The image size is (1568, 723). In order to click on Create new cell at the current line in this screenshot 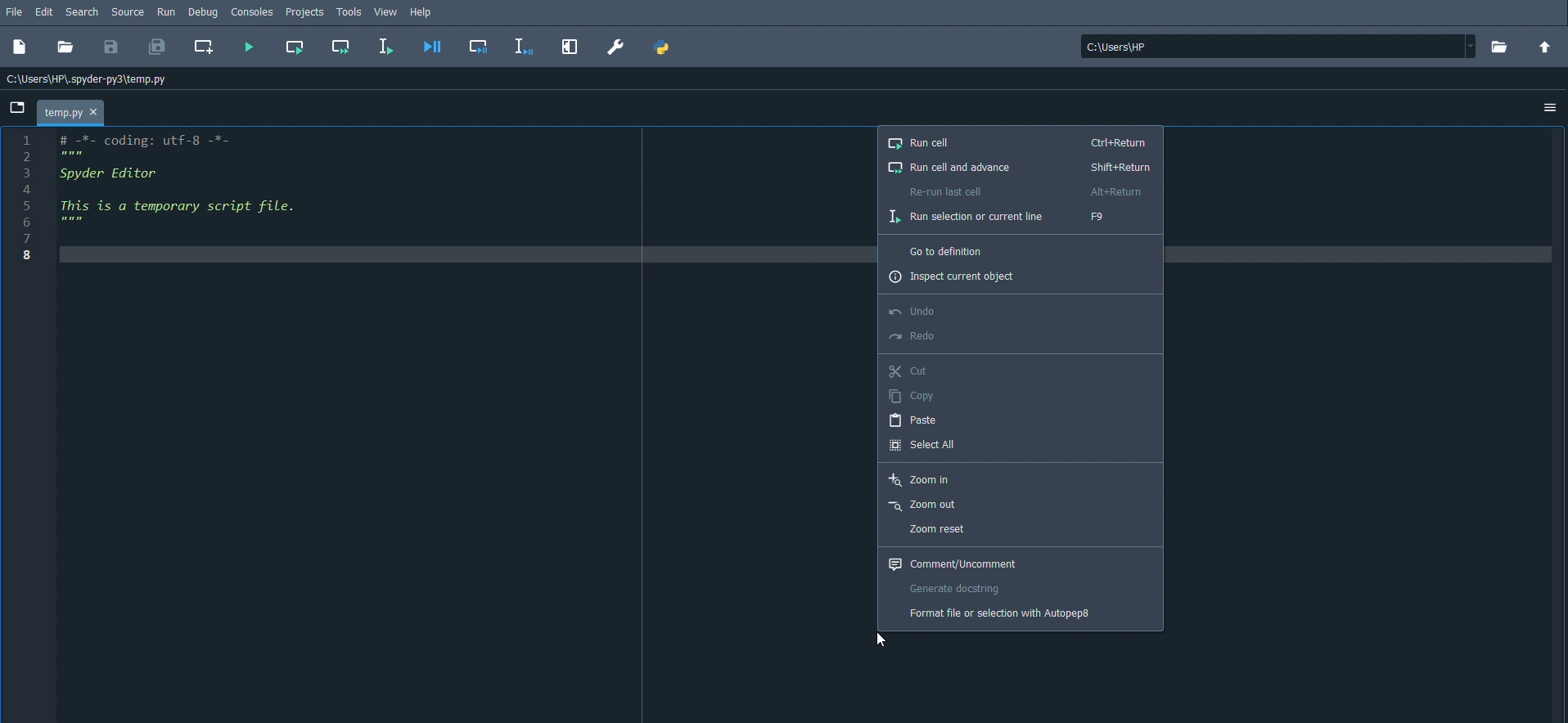, I will do `click(205, 47)`.